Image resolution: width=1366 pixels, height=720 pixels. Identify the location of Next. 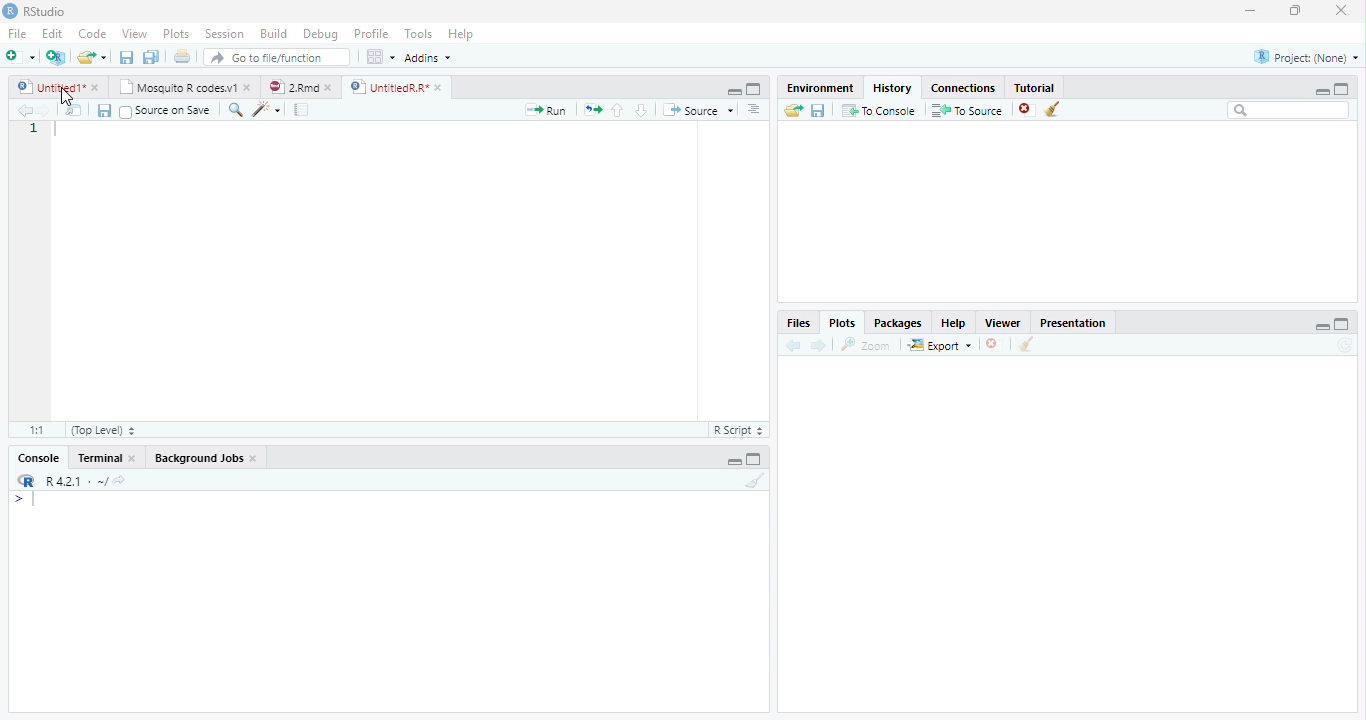
(46, 110).